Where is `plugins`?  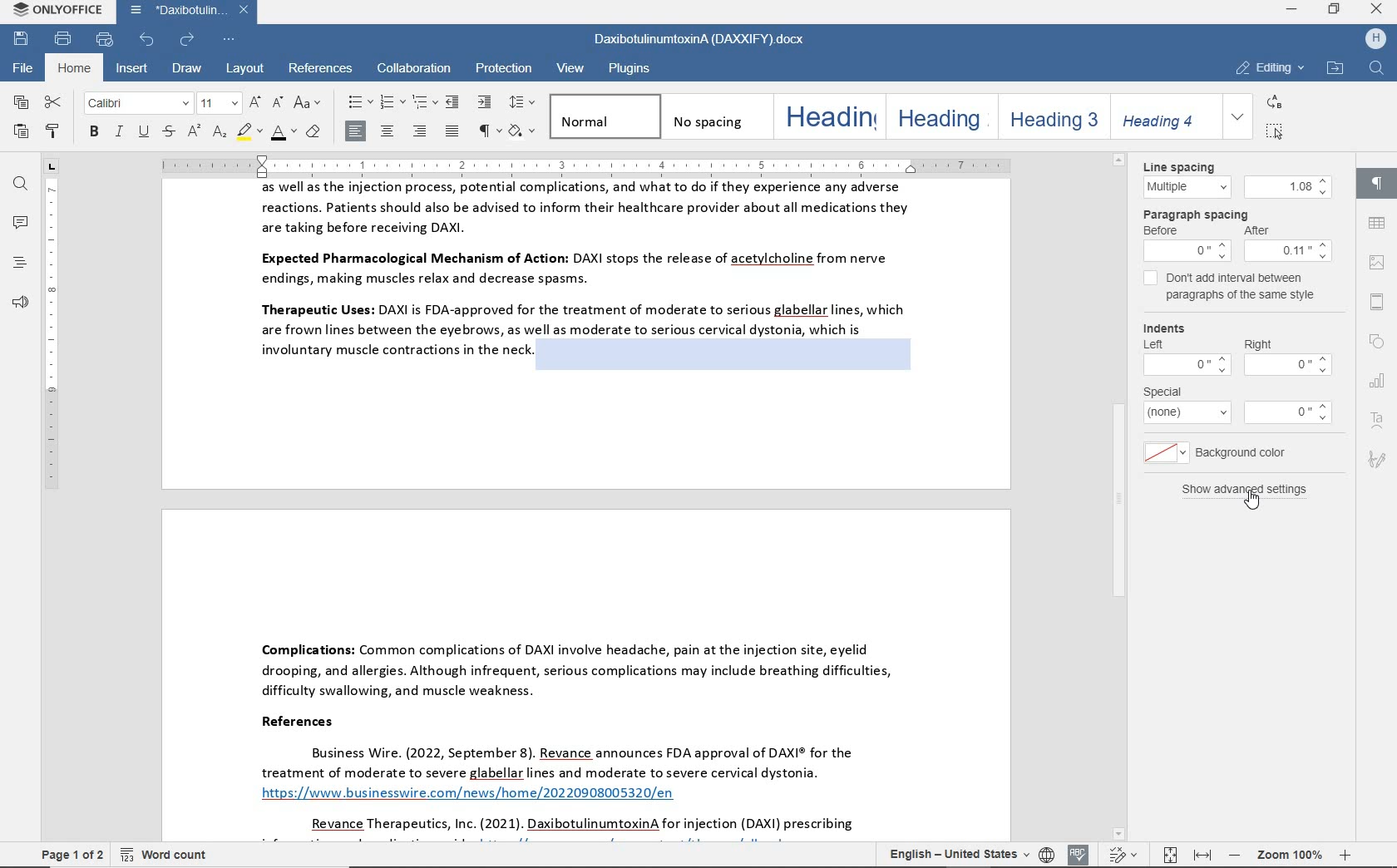 plugins is located at coordinates (632, 69).